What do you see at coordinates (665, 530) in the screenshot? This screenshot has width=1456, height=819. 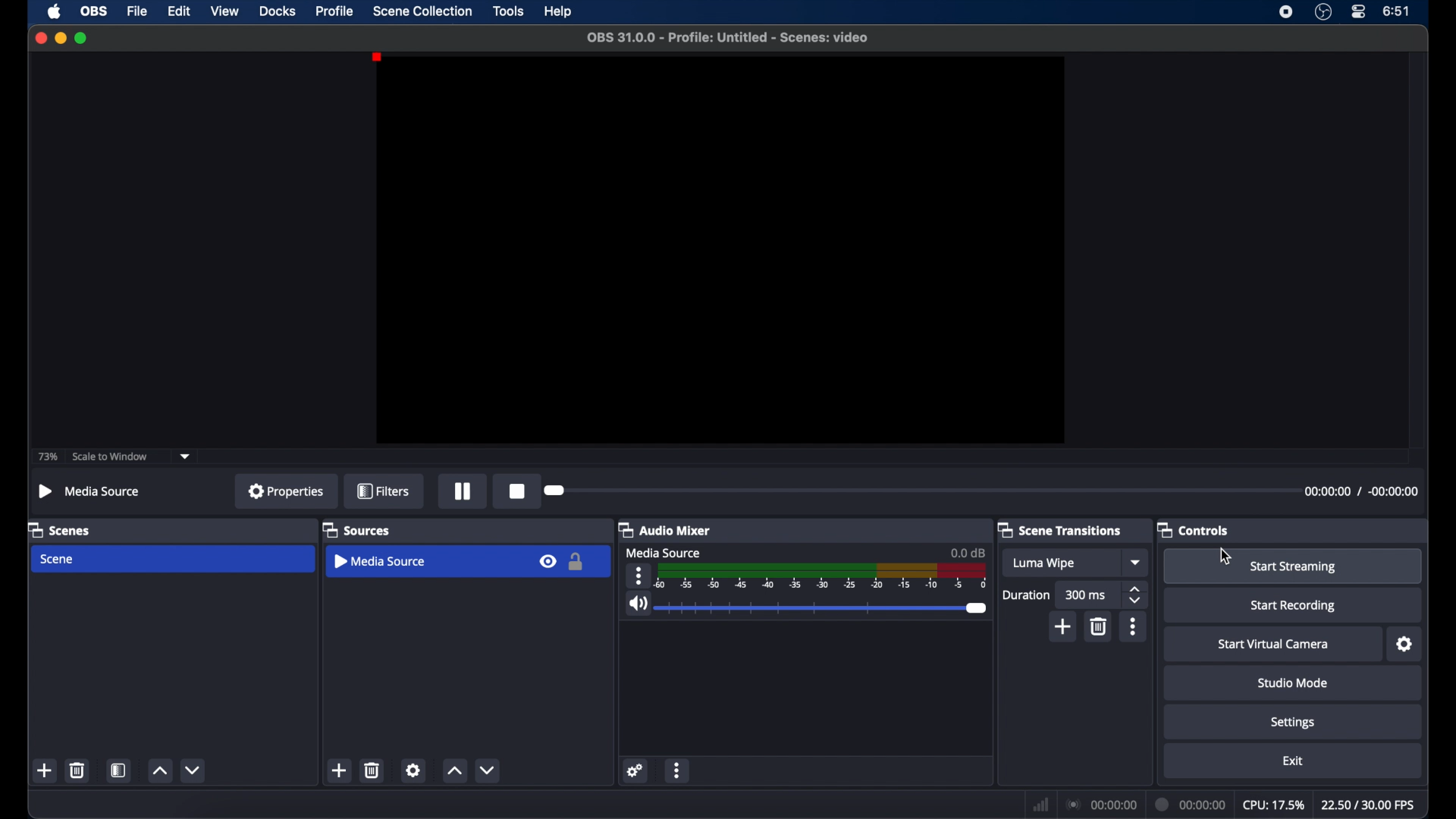 I see `audio mixer` at bounding box center [665, 530].